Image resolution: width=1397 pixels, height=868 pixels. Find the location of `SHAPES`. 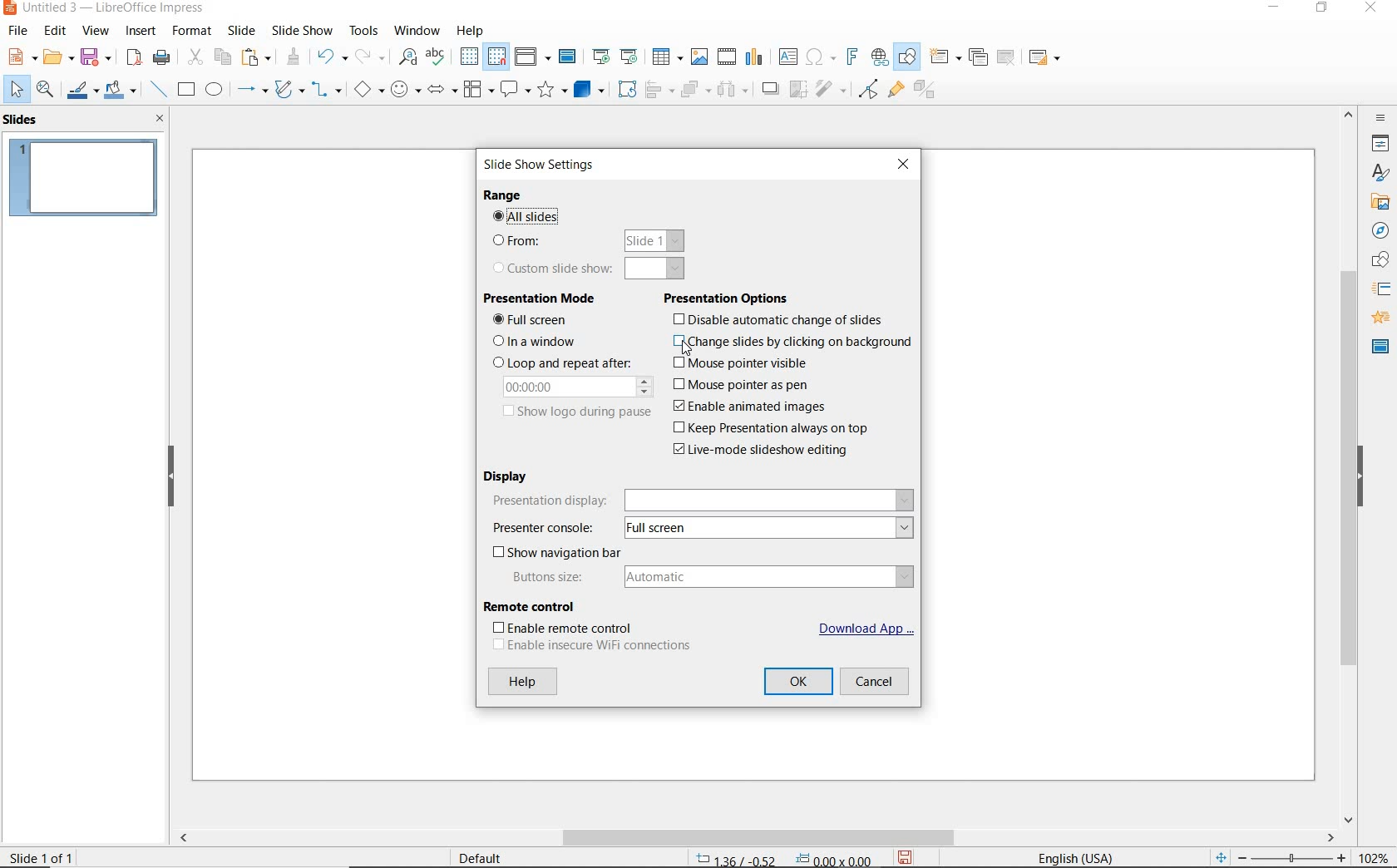

SHAPES is located at coordinates (1377, 262).